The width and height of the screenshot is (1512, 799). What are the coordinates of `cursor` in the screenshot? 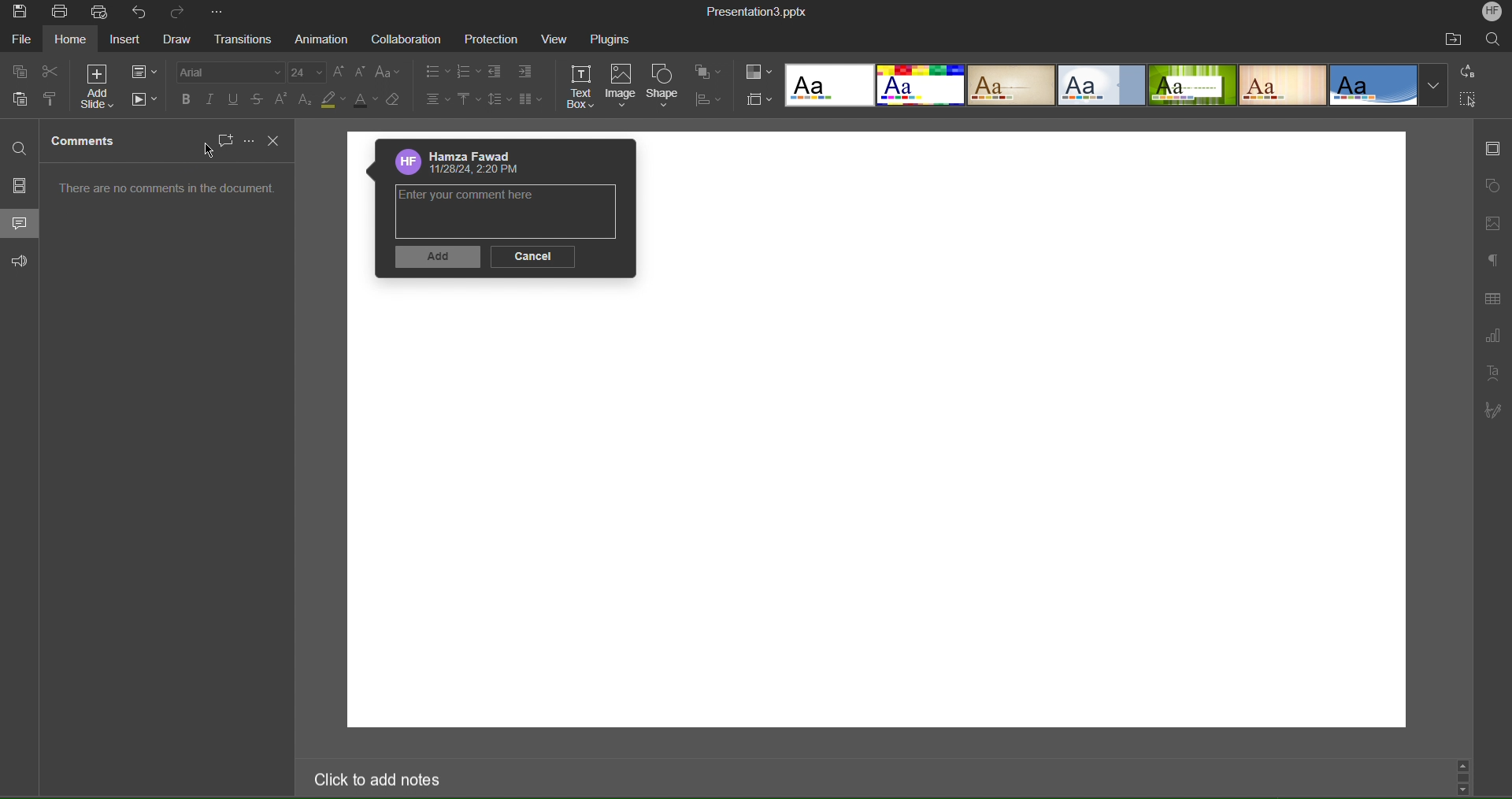 It's located at (208, 150).